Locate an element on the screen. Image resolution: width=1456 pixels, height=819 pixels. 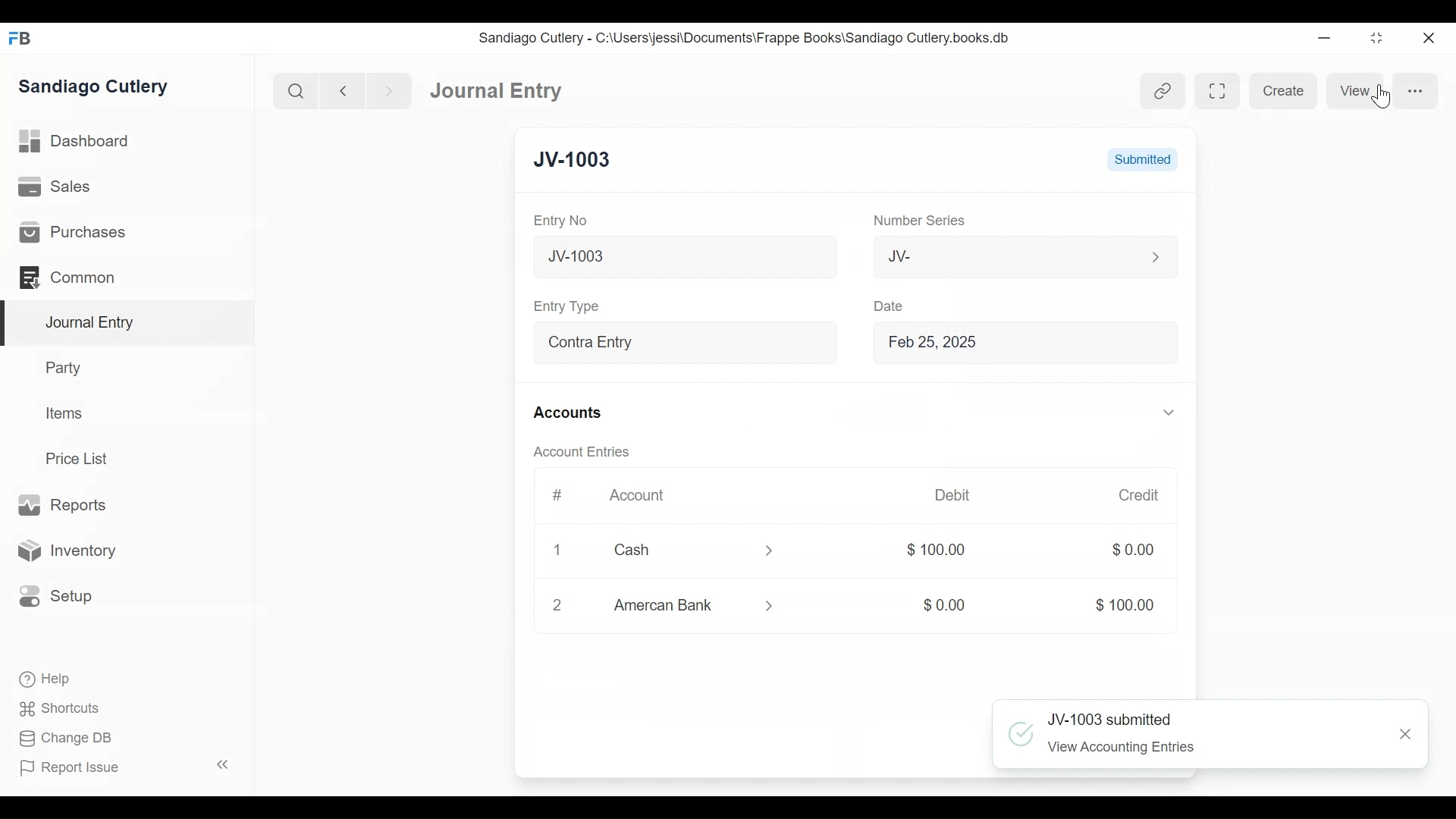
Minimize is located at coordinates (1326, 39).